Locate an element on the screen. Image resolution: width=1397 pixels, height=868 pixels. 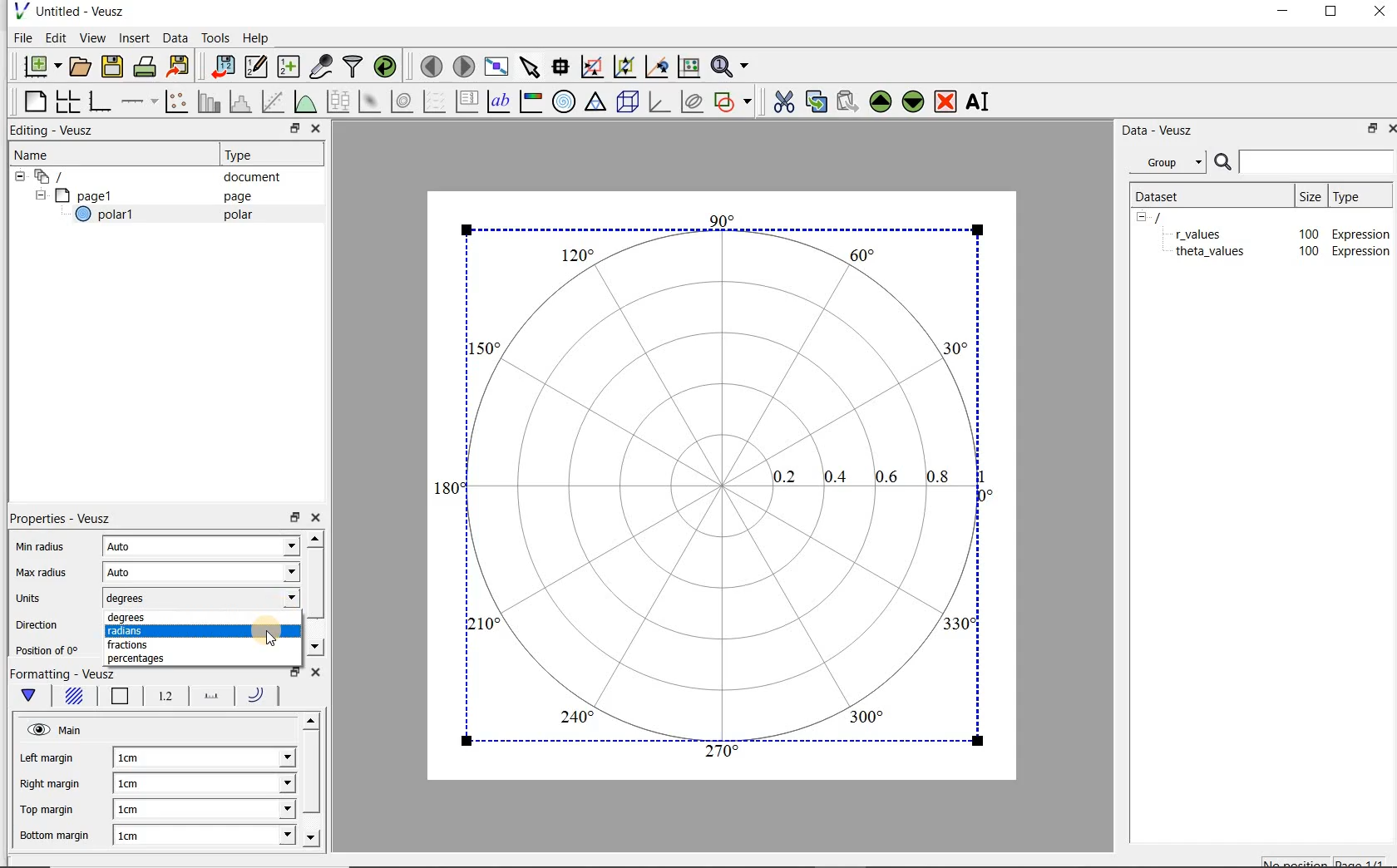
document is located at coordinates (245, 177).